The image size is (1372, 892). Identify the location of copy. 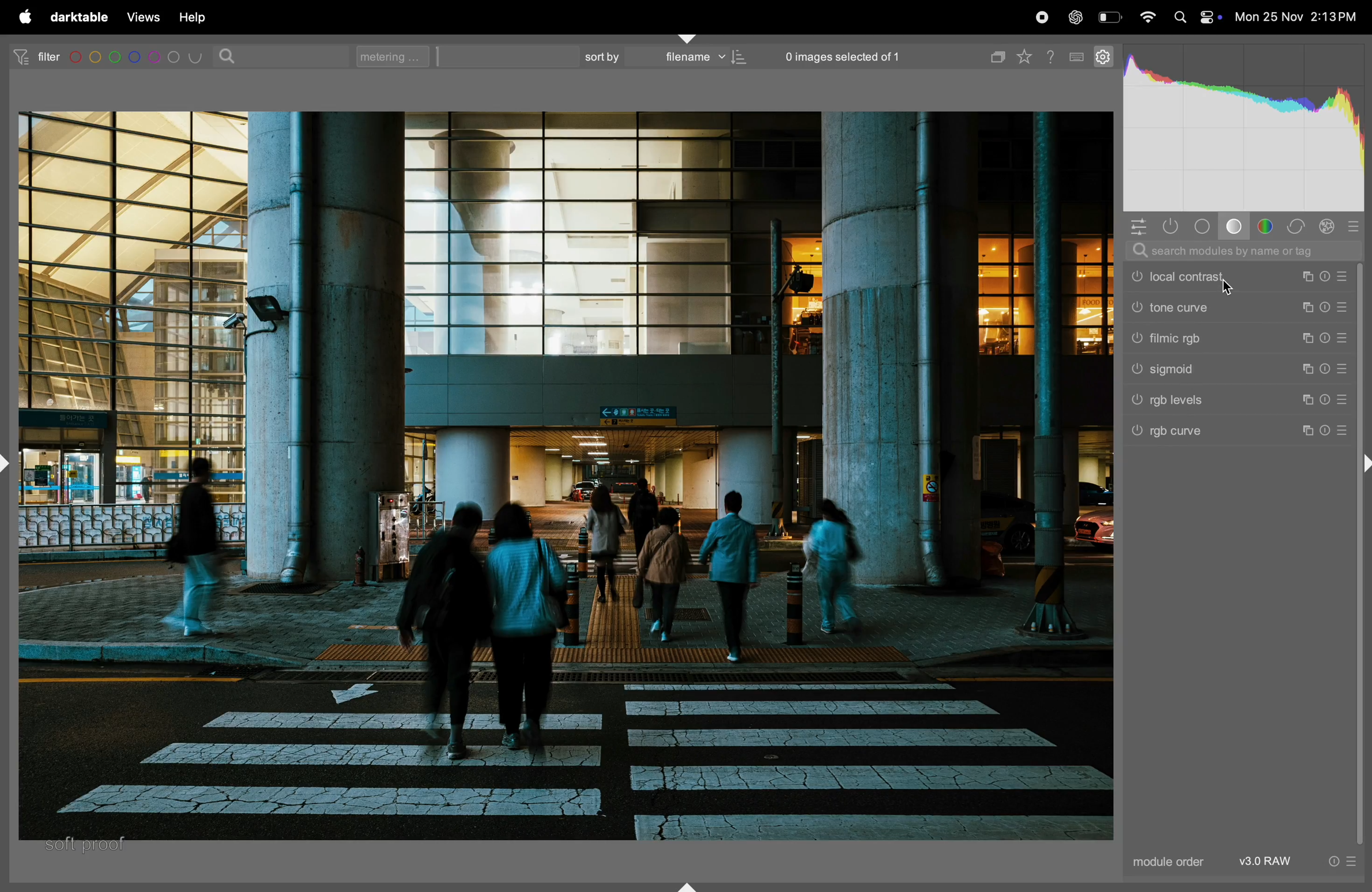
(995, 54).